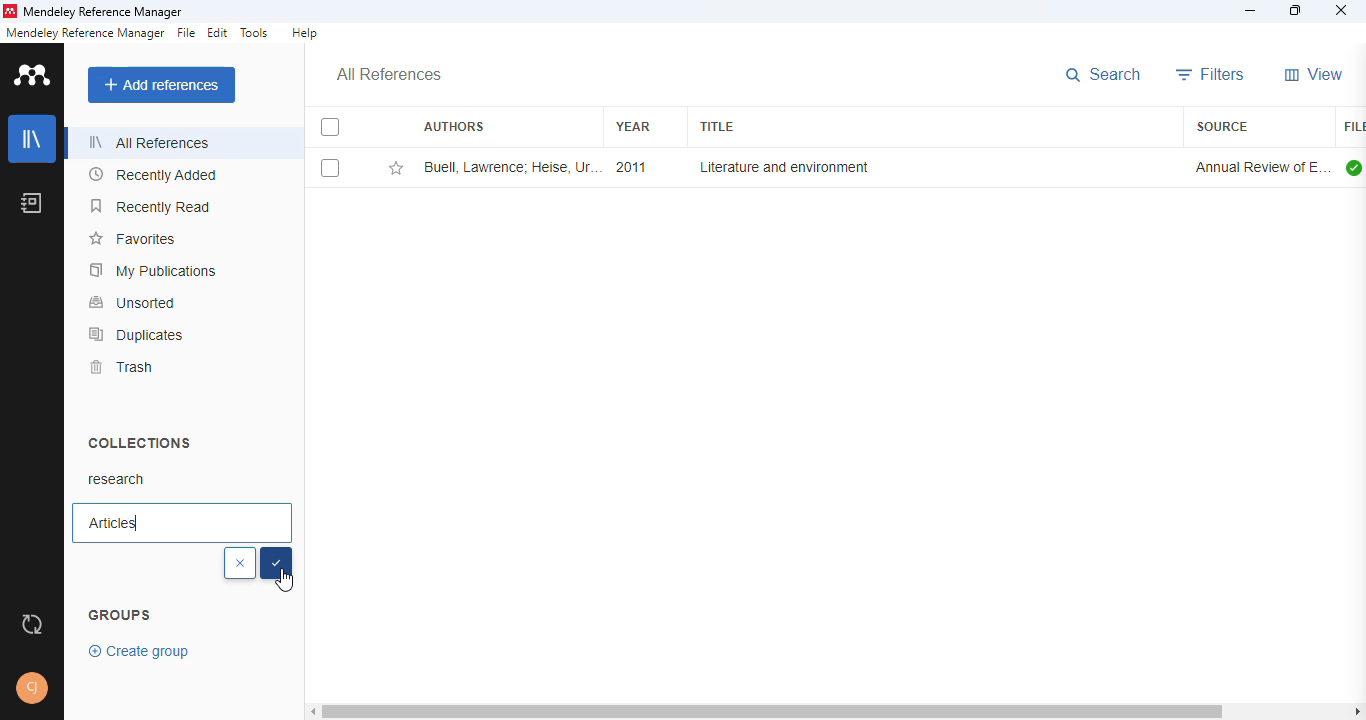 The image size is (1366, 720). I want to click on source, so click(1222, 126).